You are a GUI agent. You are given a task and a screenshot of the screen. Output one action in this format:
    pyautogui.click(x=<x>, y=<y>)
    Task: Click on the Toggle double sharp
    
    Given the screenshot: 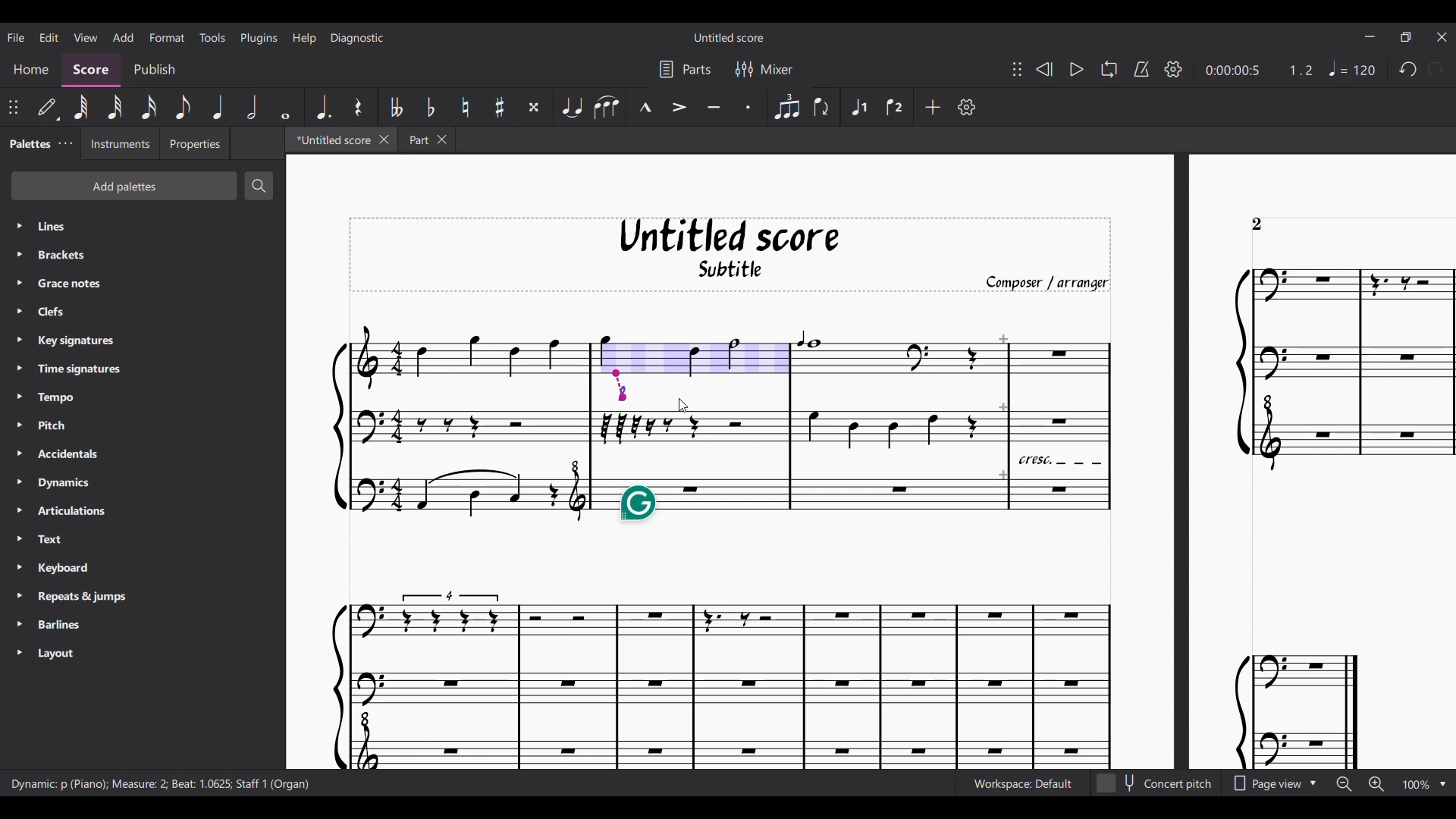 What is the action you would take?
    pyautogui.click(x=535, y=107)
    